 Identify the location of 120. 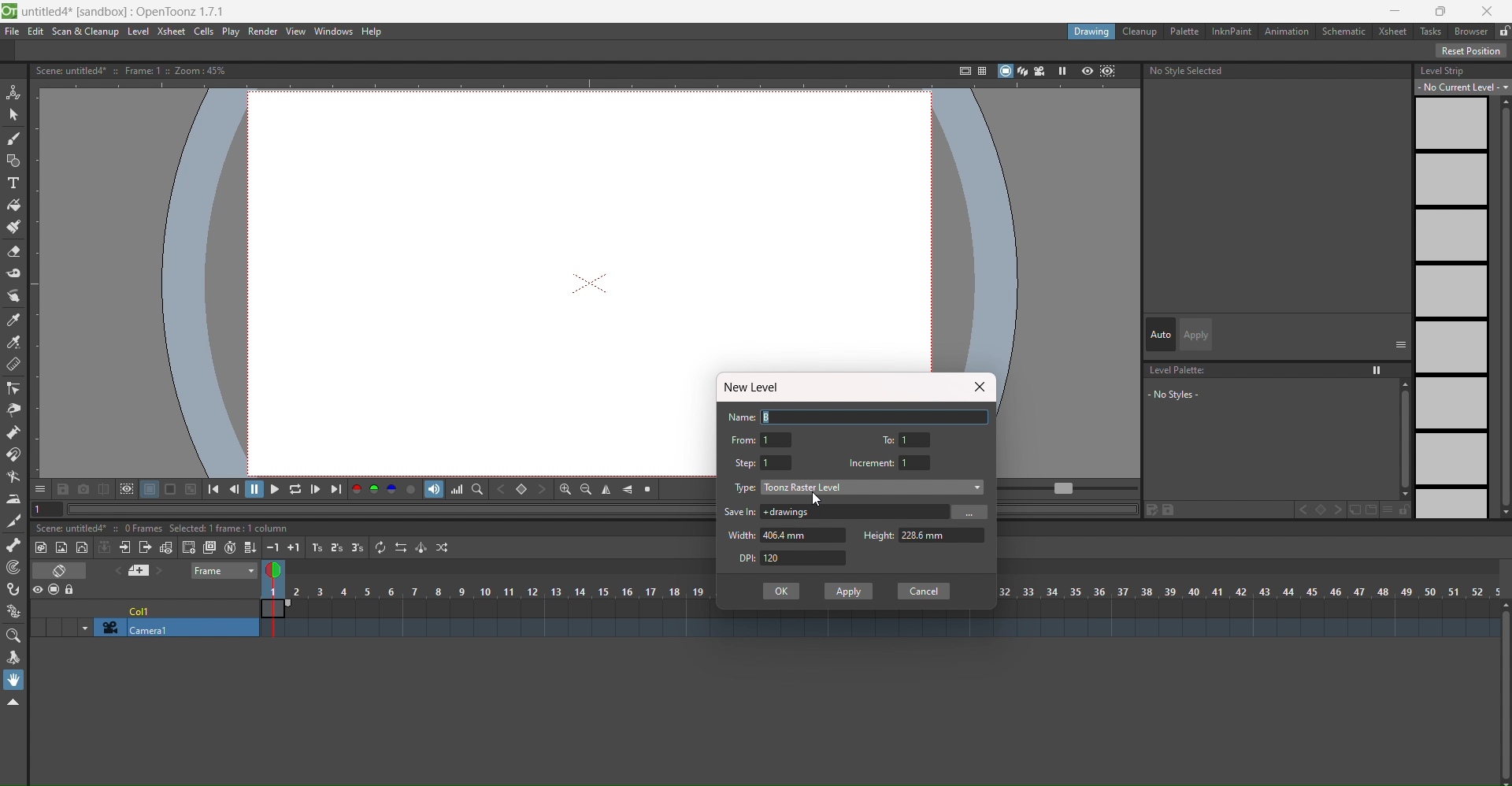
(806, 558).